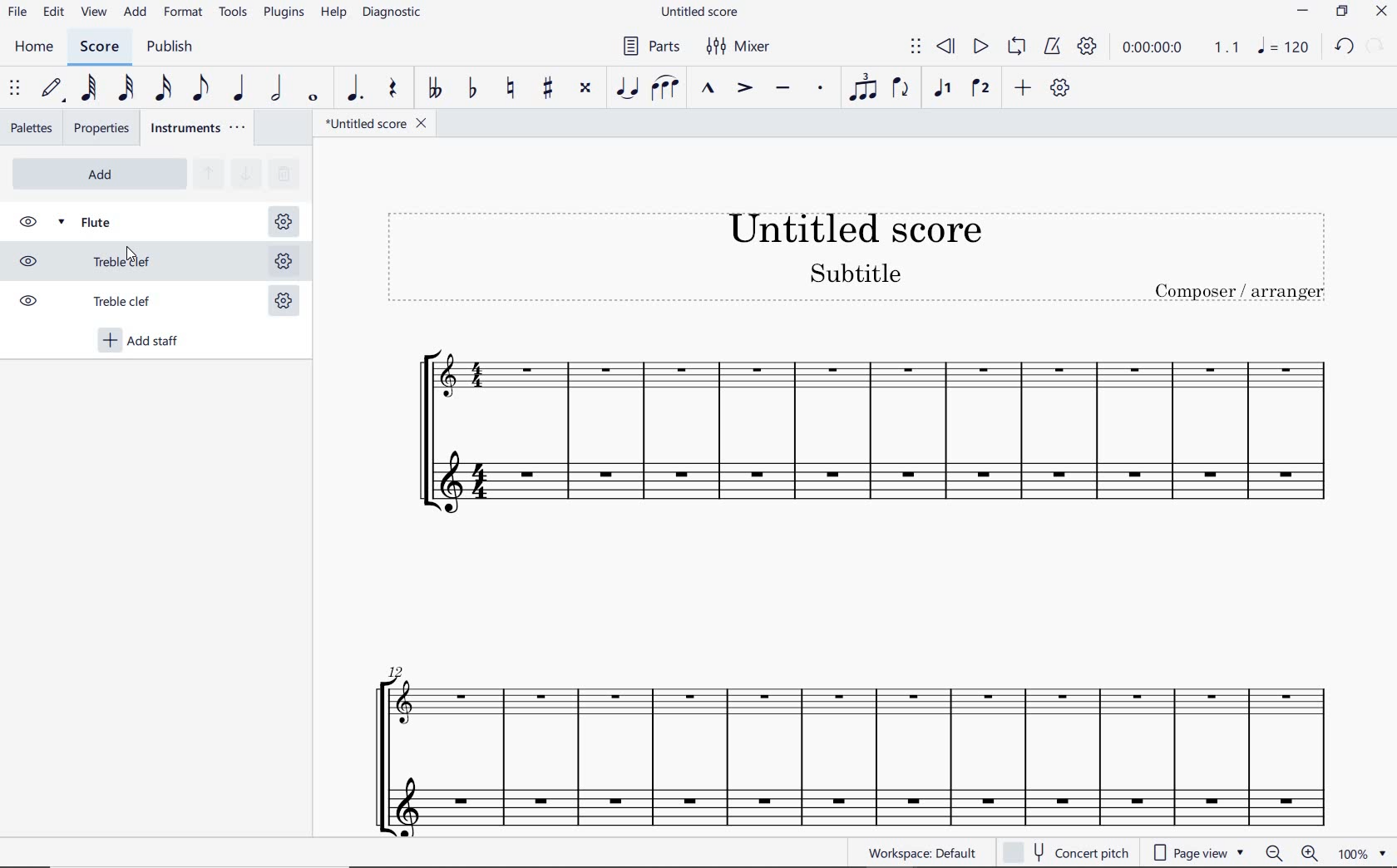 The image size is (1397, 868). What do you see at coordinates (38, 49) in the screenshot?
I see `home` at bounding box center [38, 49].